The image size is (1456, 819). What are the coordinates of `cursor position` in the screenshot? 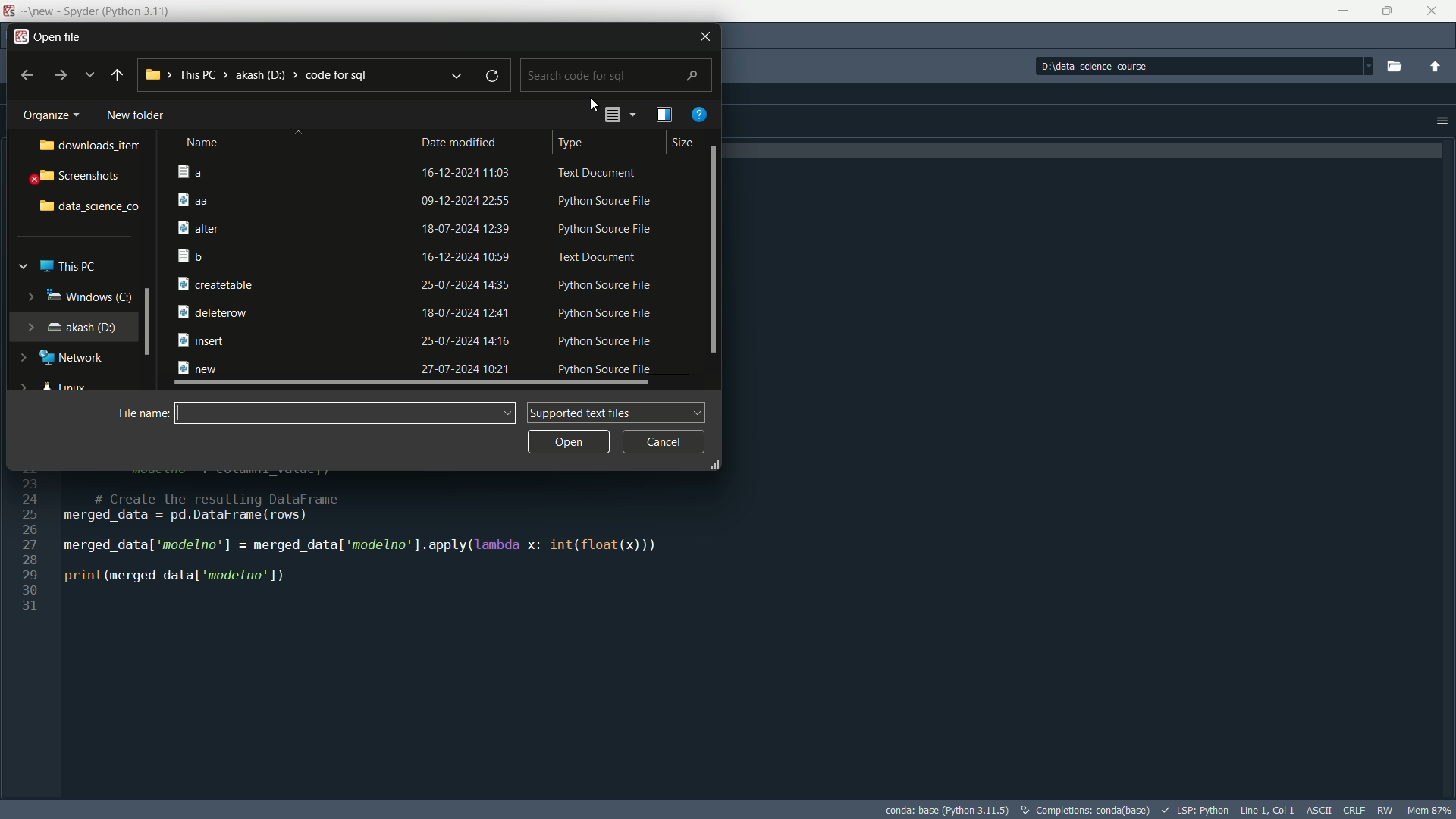 It's located at (1269, 809).